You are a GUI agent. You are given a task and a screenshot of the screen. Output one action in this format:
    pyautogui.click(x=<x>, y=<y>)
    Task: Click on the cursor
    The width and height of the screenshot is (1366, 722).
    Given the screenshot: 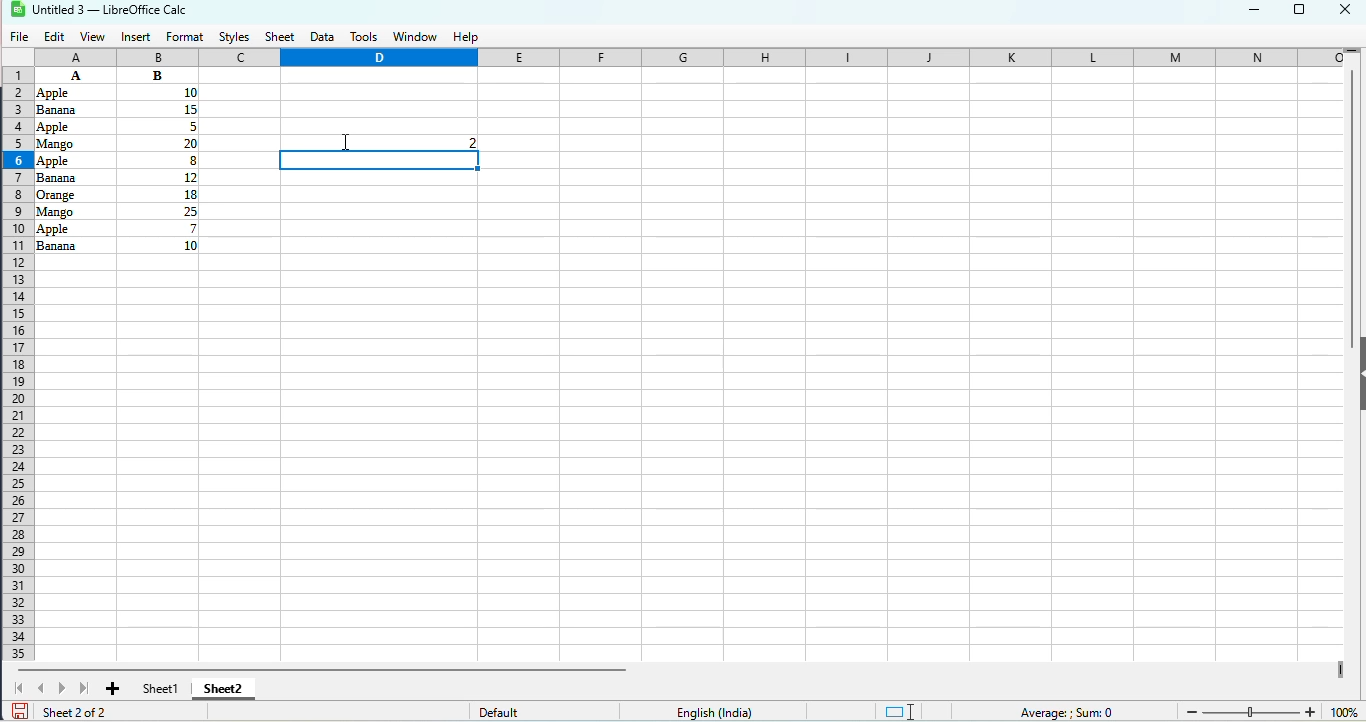 What is the action you would take?
    pyautogui.click(x=346, y=142)
    